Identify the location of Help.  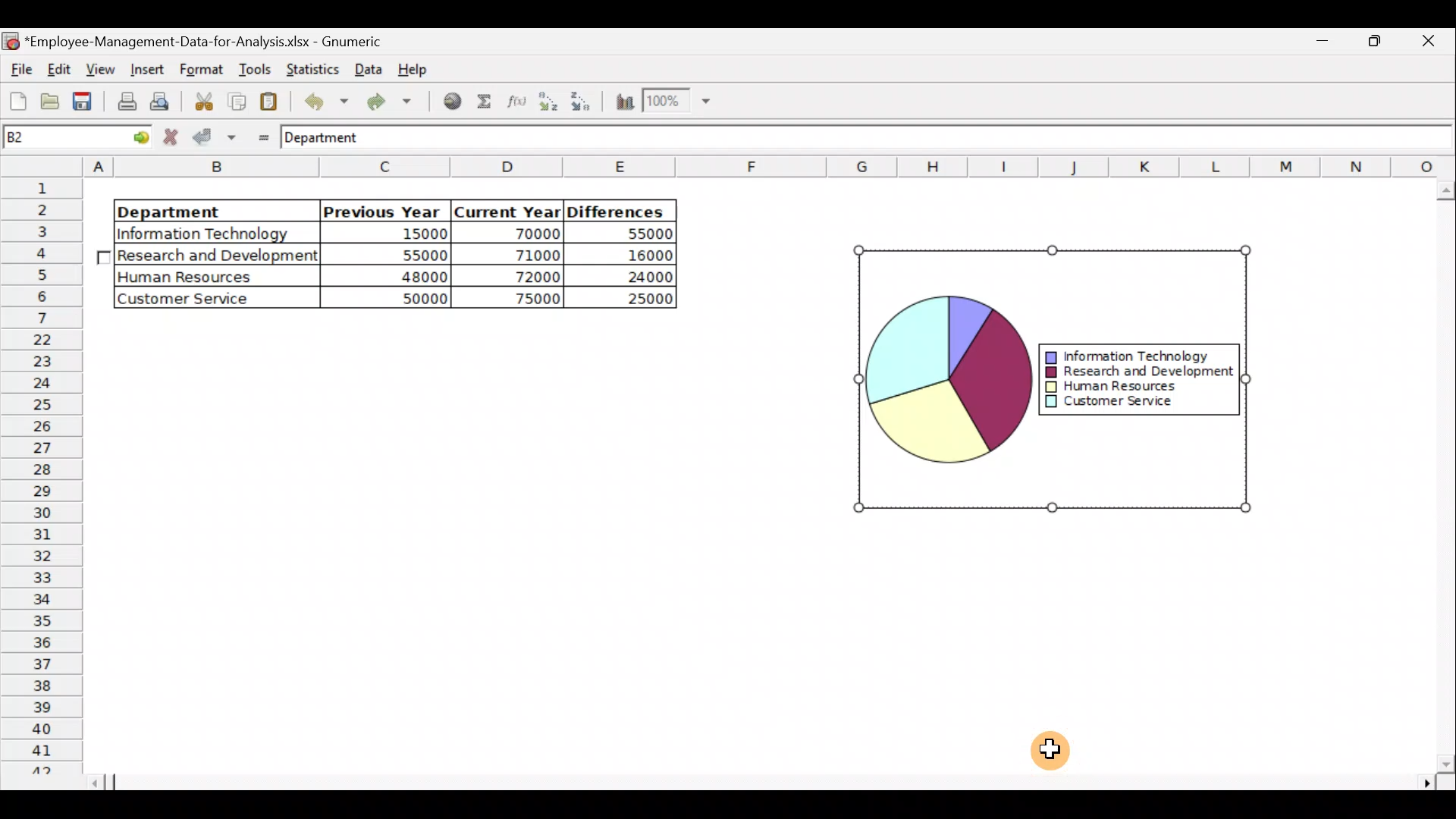
(416, 73).